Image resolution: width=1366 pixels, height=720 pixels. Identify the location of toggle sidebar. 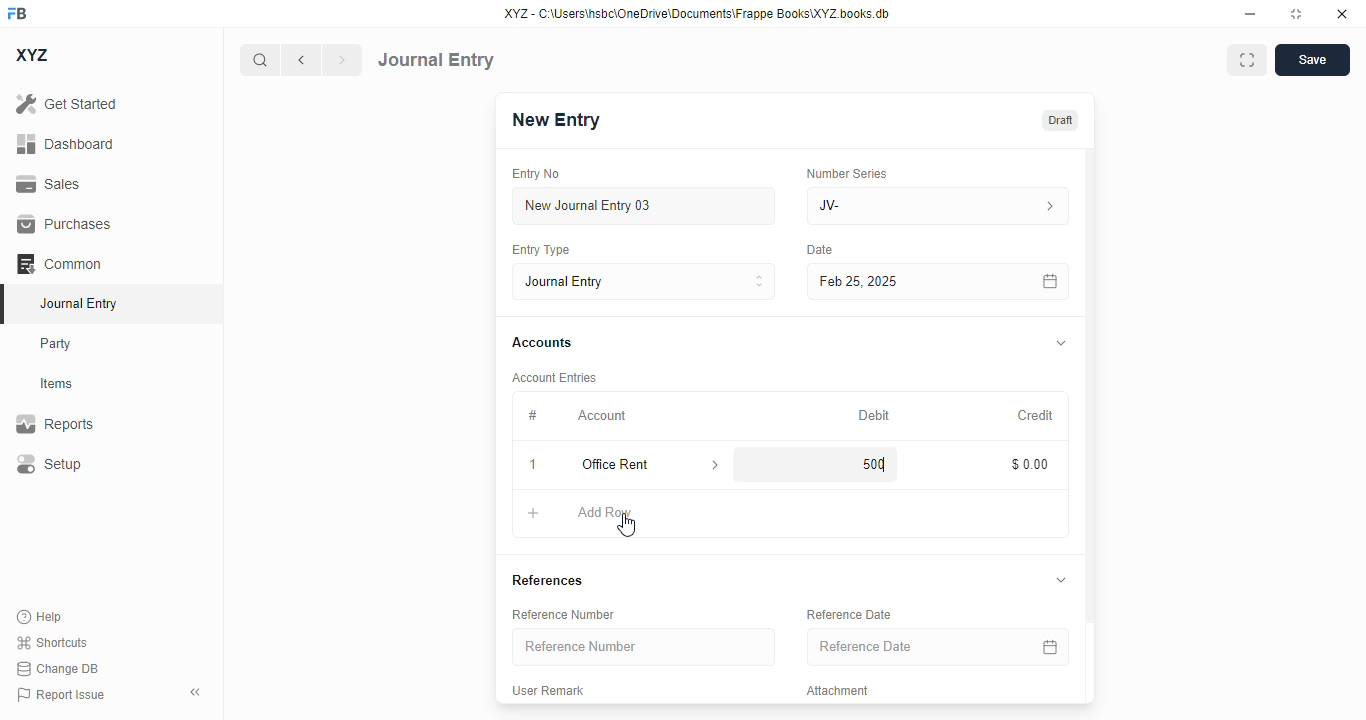
(197, 692).